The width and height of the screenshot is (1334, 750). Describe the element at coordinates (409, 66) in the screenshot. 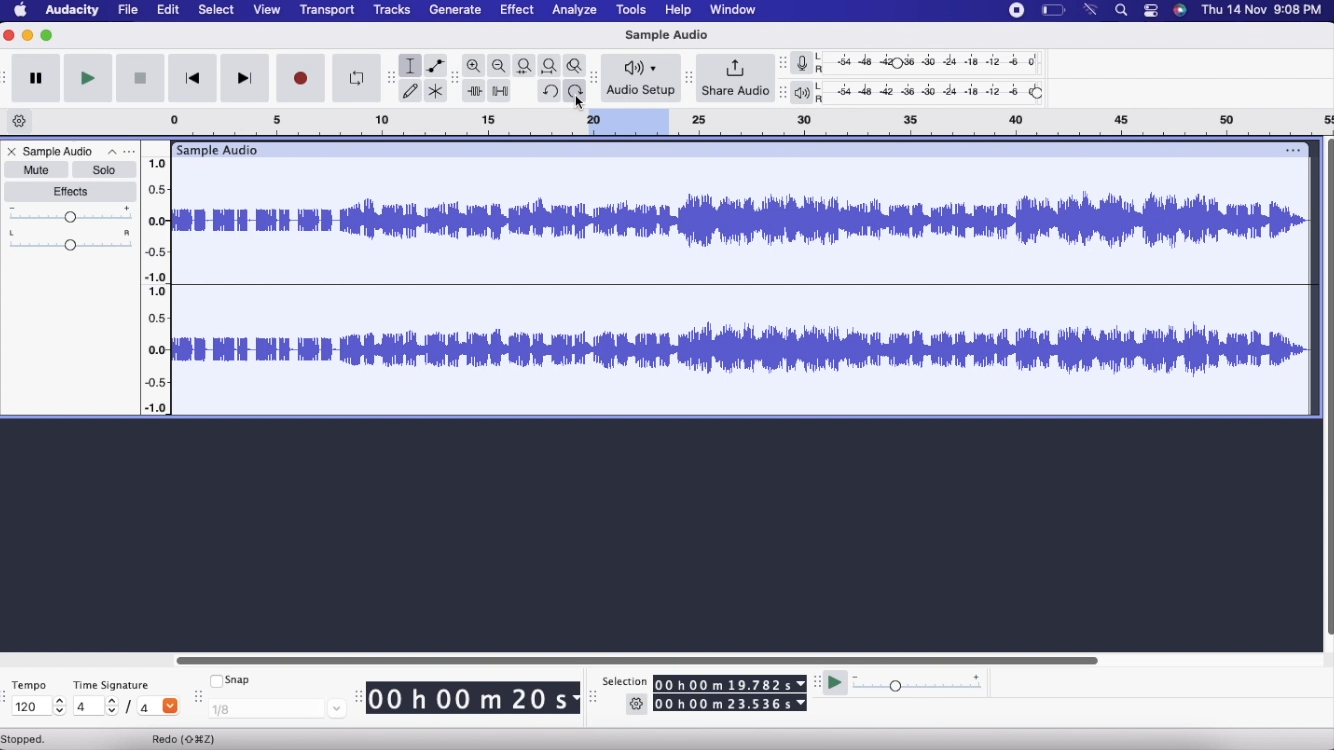

I see `Selection tool` at that location.